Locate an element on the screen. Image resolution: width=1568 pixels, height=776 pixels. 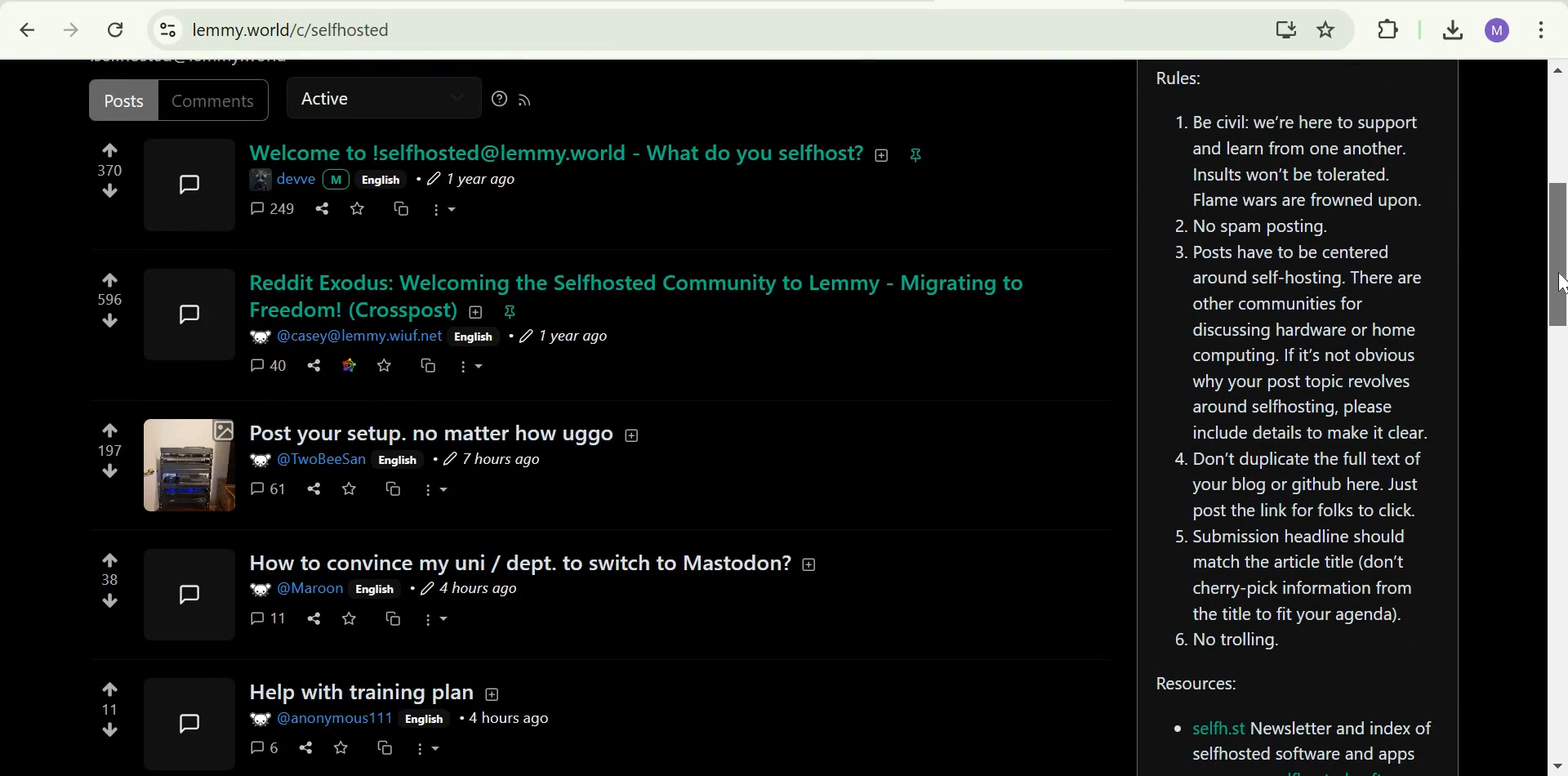
cross-post is located at coordinates (397, 489).